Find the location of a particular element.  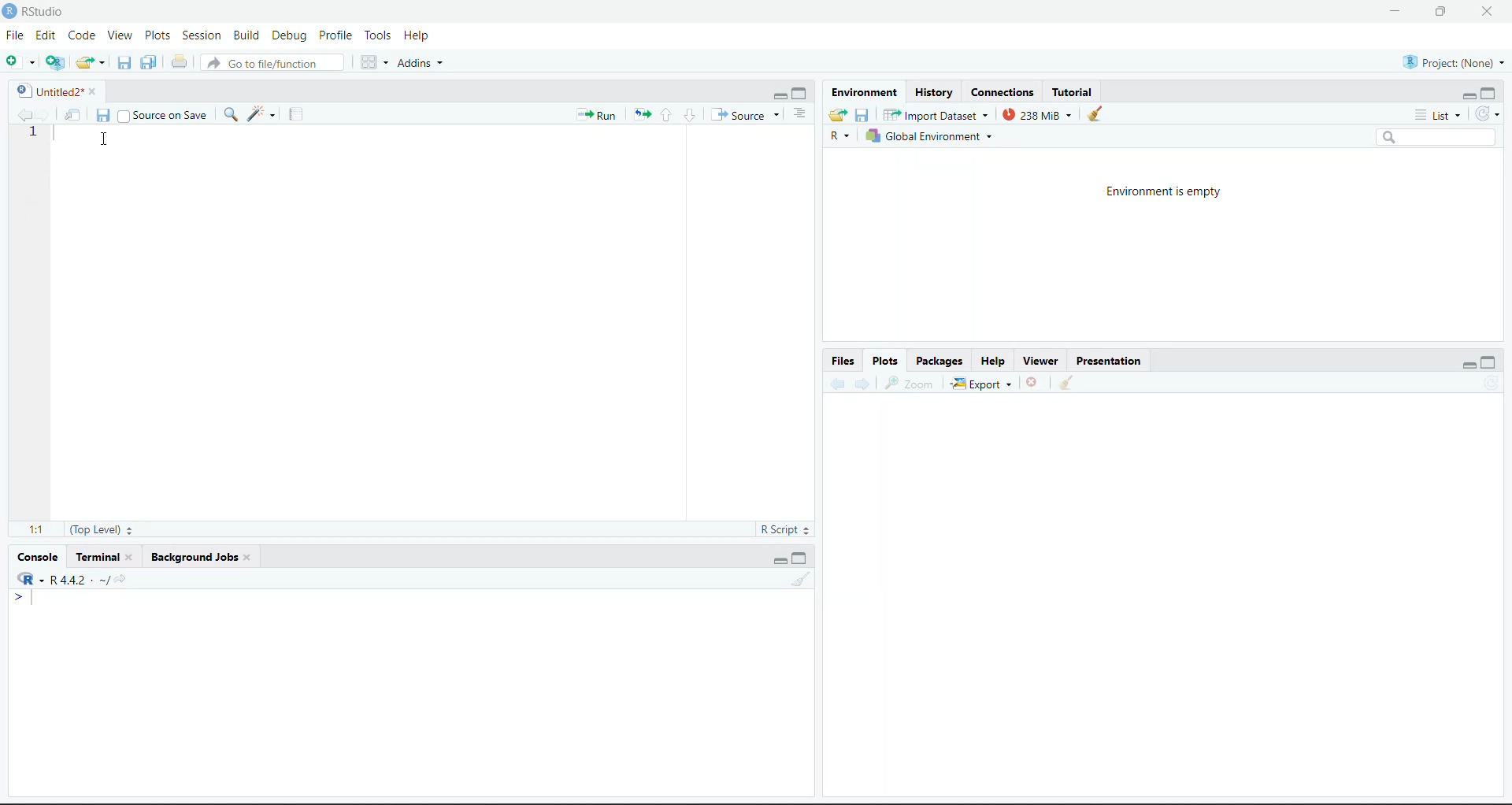

Session is located at coordinates (202, 35).